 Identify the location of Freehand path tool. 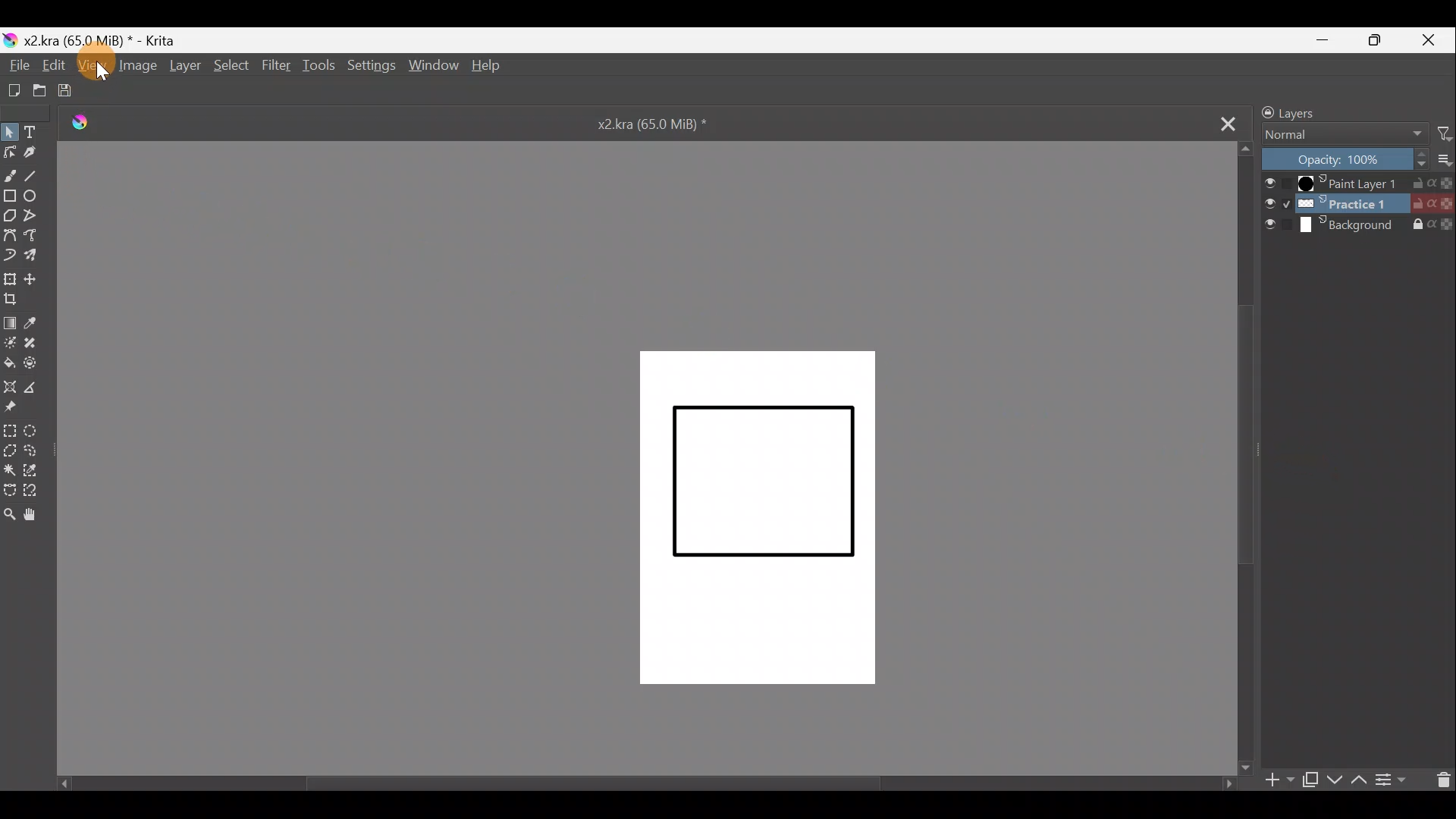
(37, 235).